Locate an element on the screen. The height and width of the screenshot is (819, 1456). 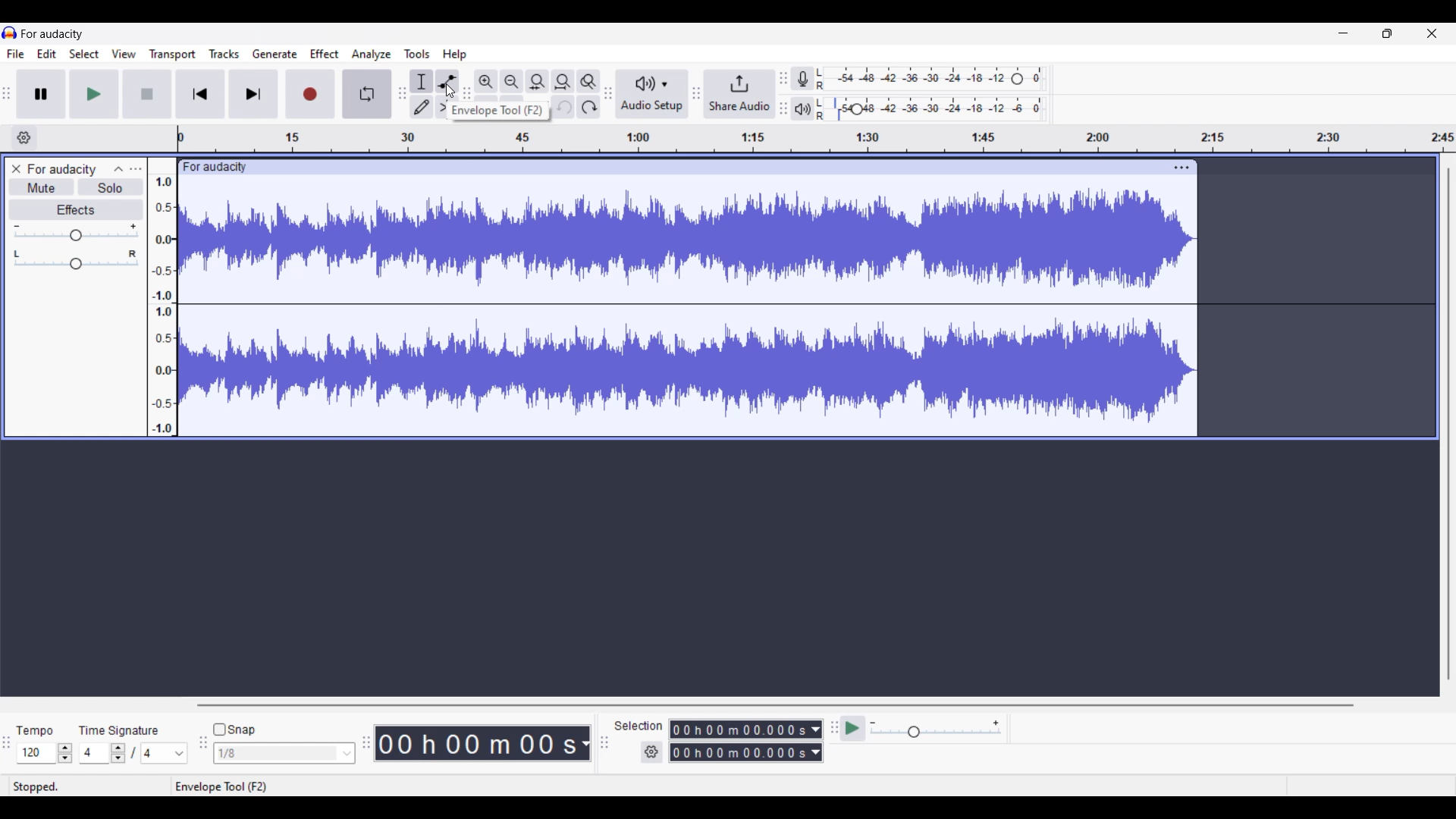
Selection duration is located at coordinates (739, 740).